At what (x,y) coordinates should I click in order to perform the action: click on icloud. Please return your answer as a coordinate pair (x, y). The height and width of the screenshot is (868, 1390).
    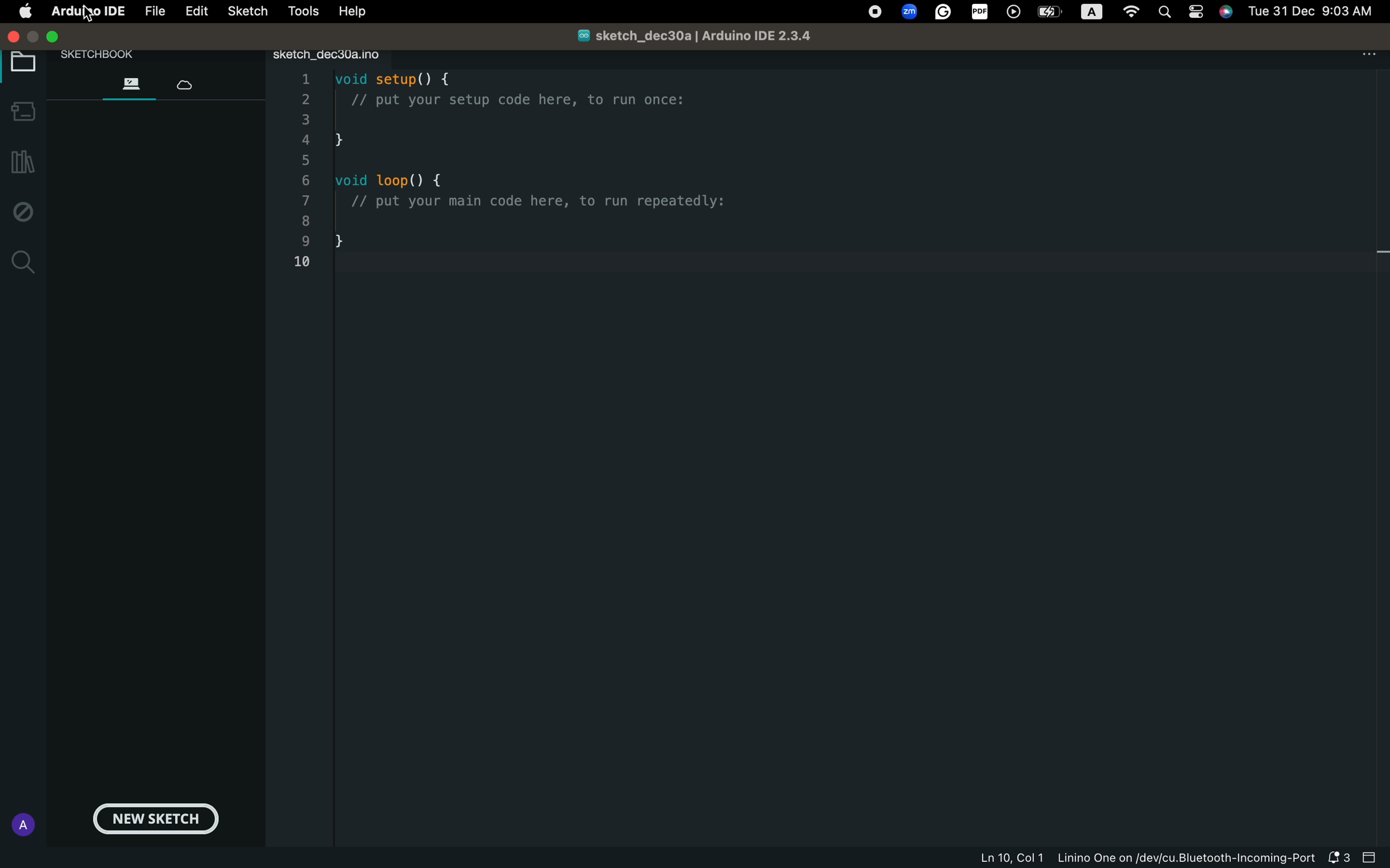
    Looking at the image, I should click on (191, 81).